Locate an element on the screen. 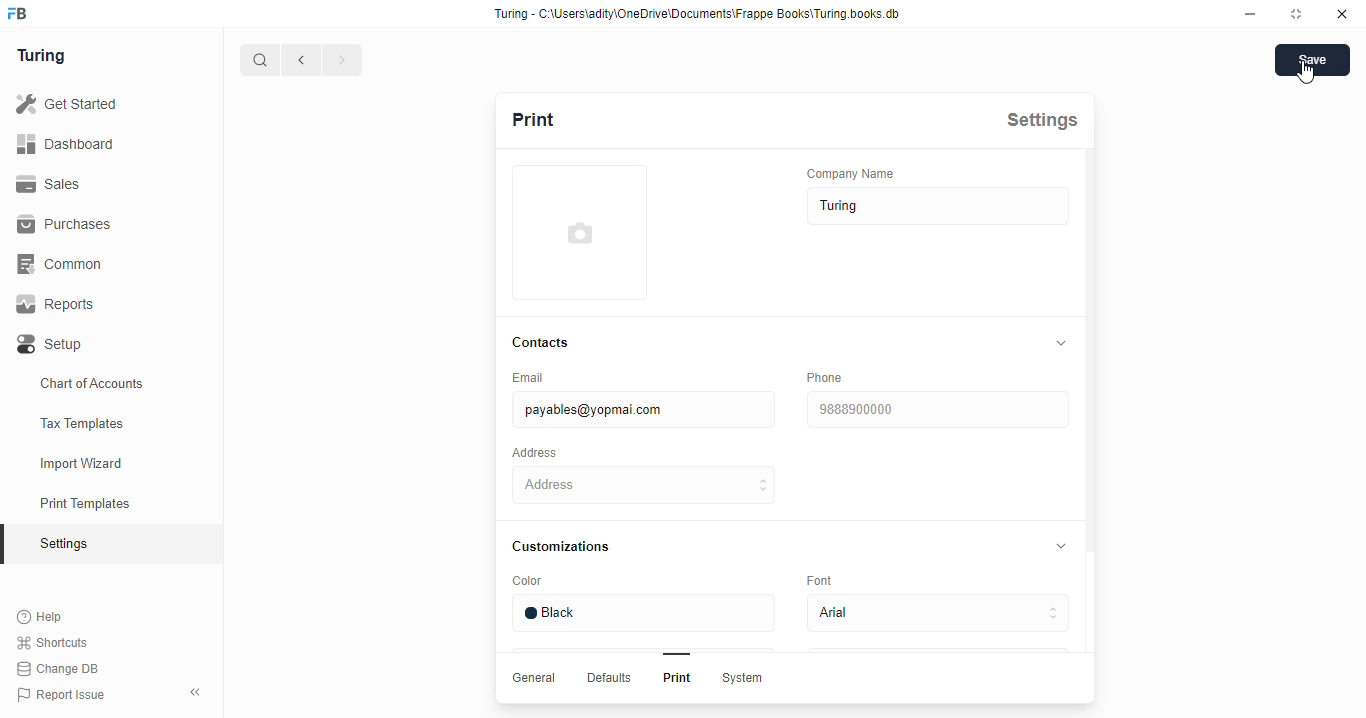 The height and width of the screenshot is (718, 1366). cursor is located at coordinates (1308, 74).